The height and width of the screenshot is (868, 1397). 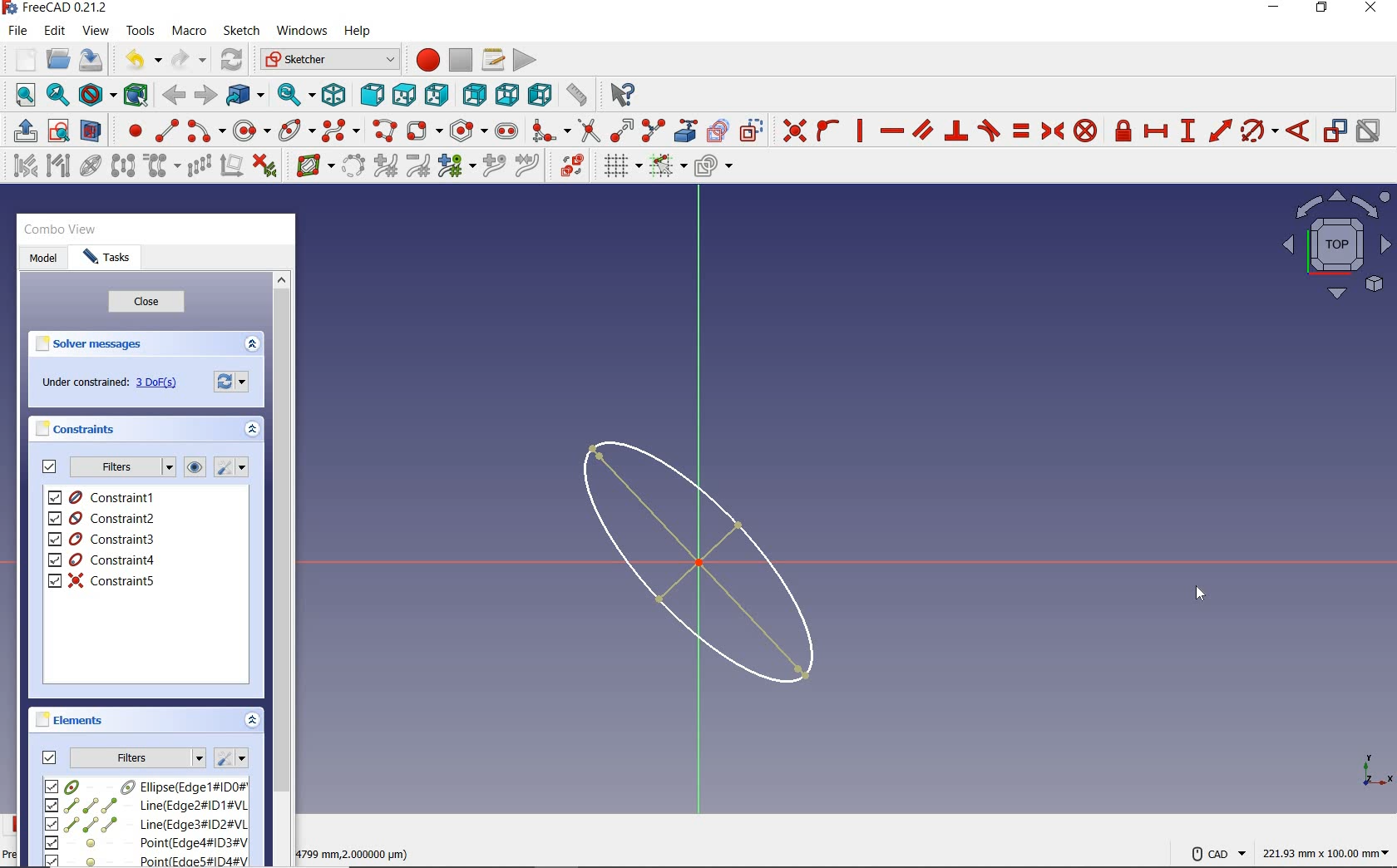 I want to click on configure rendering order, so click(x=712, y=167).